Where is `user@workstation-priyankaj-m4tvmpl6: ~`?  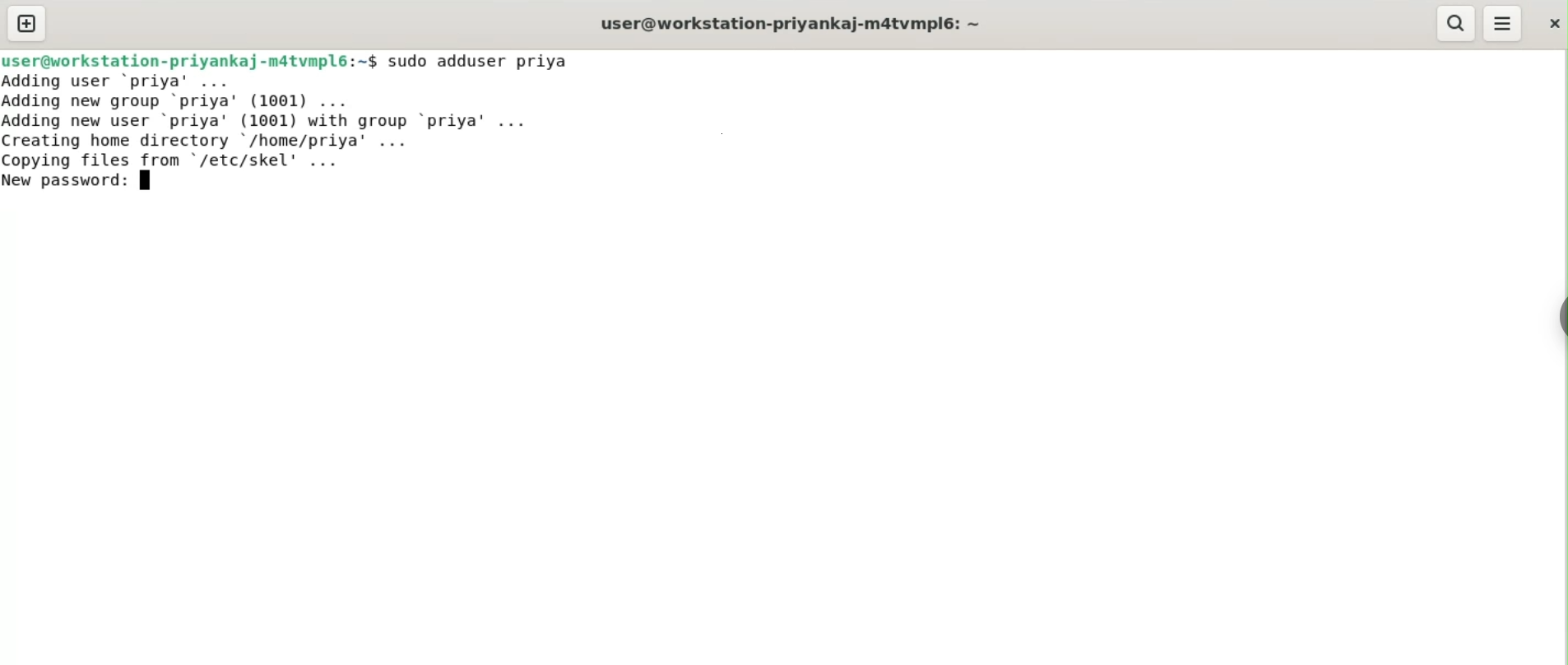 user@workstation-priyankaj-m4tvmpl6: ~ is located at coordinates (791, 26).